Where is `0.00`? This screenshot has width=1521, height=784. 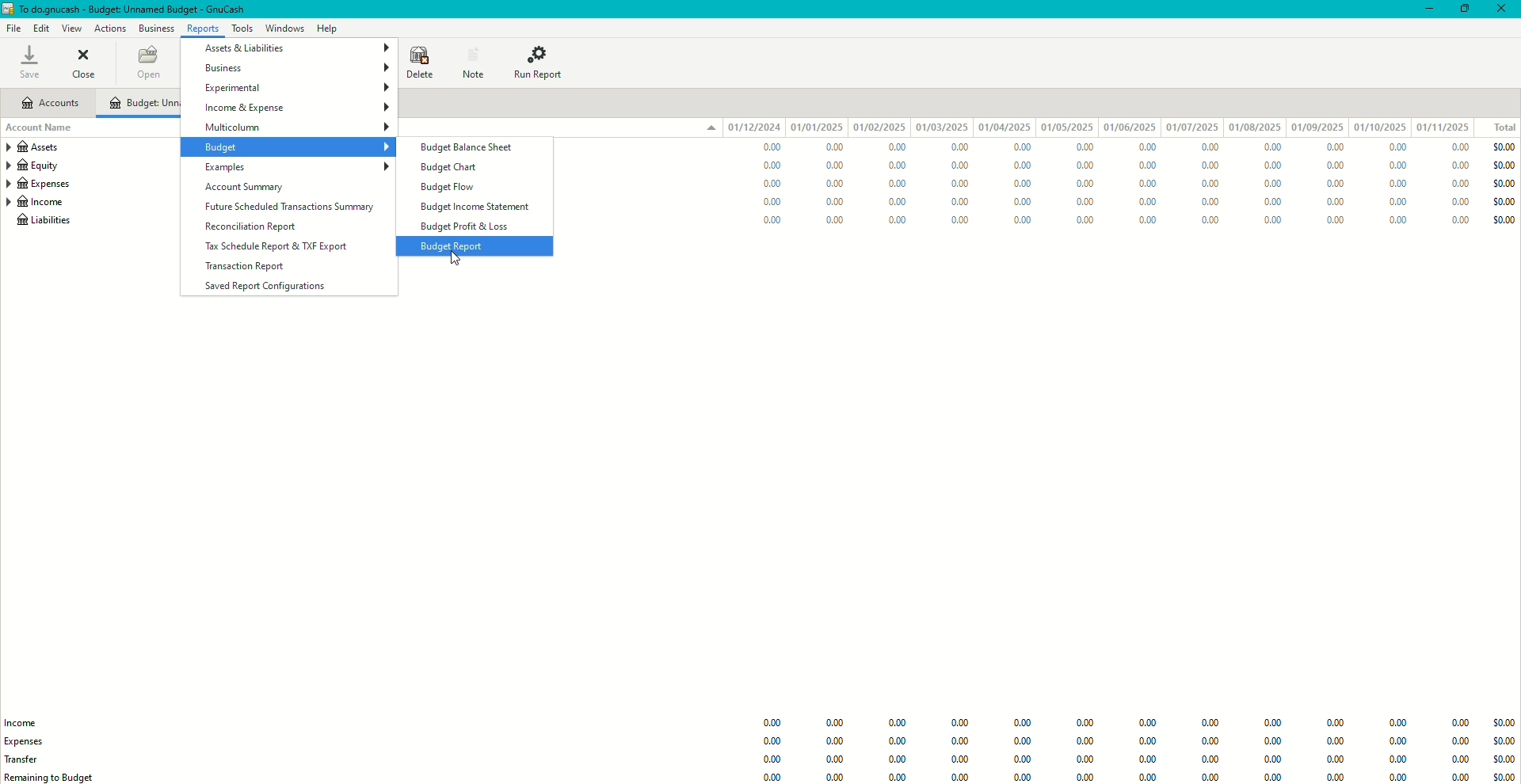 0.00 is located at coordinates (1086, 776).